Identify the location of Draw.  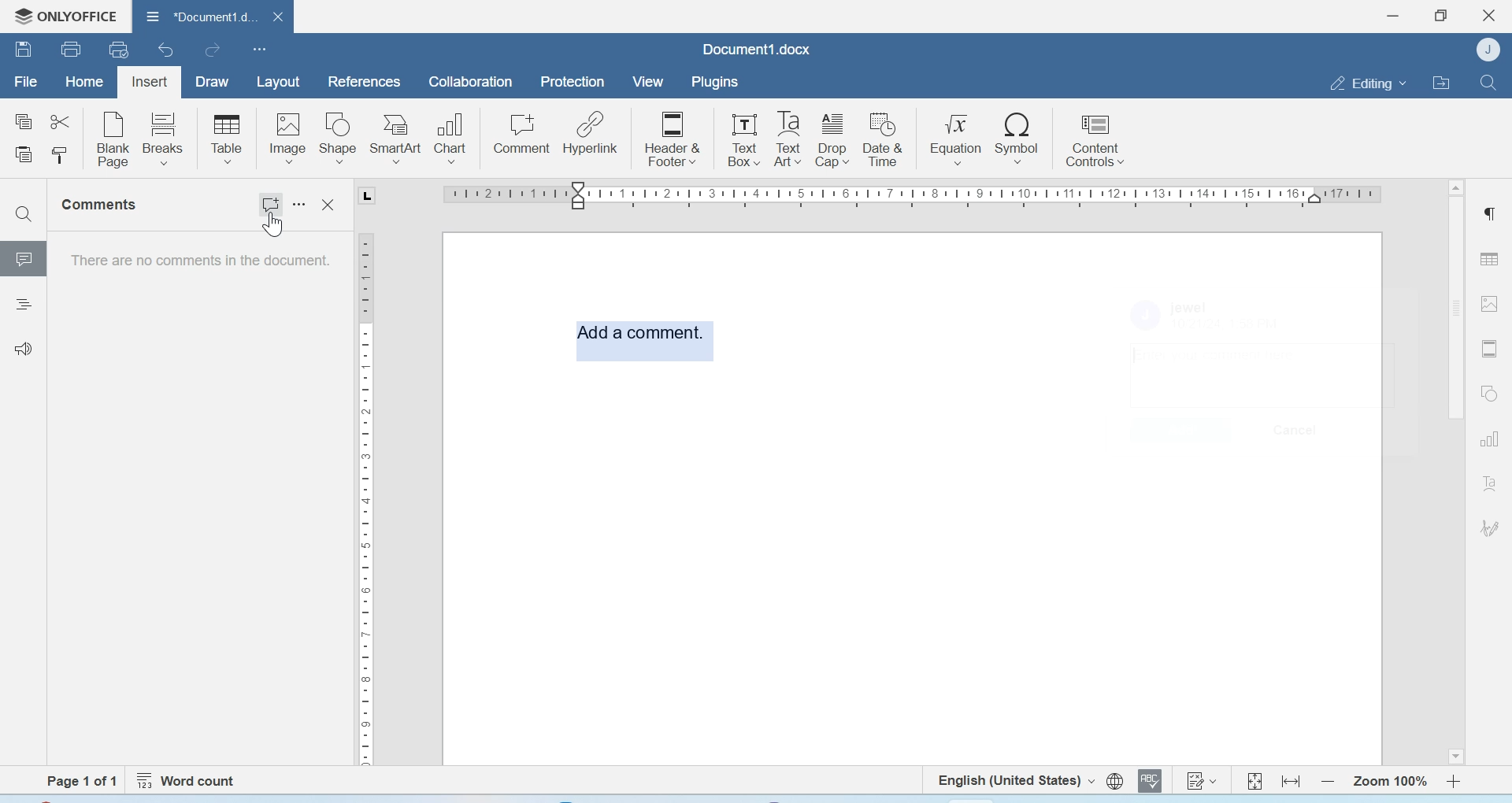
(213, 83).